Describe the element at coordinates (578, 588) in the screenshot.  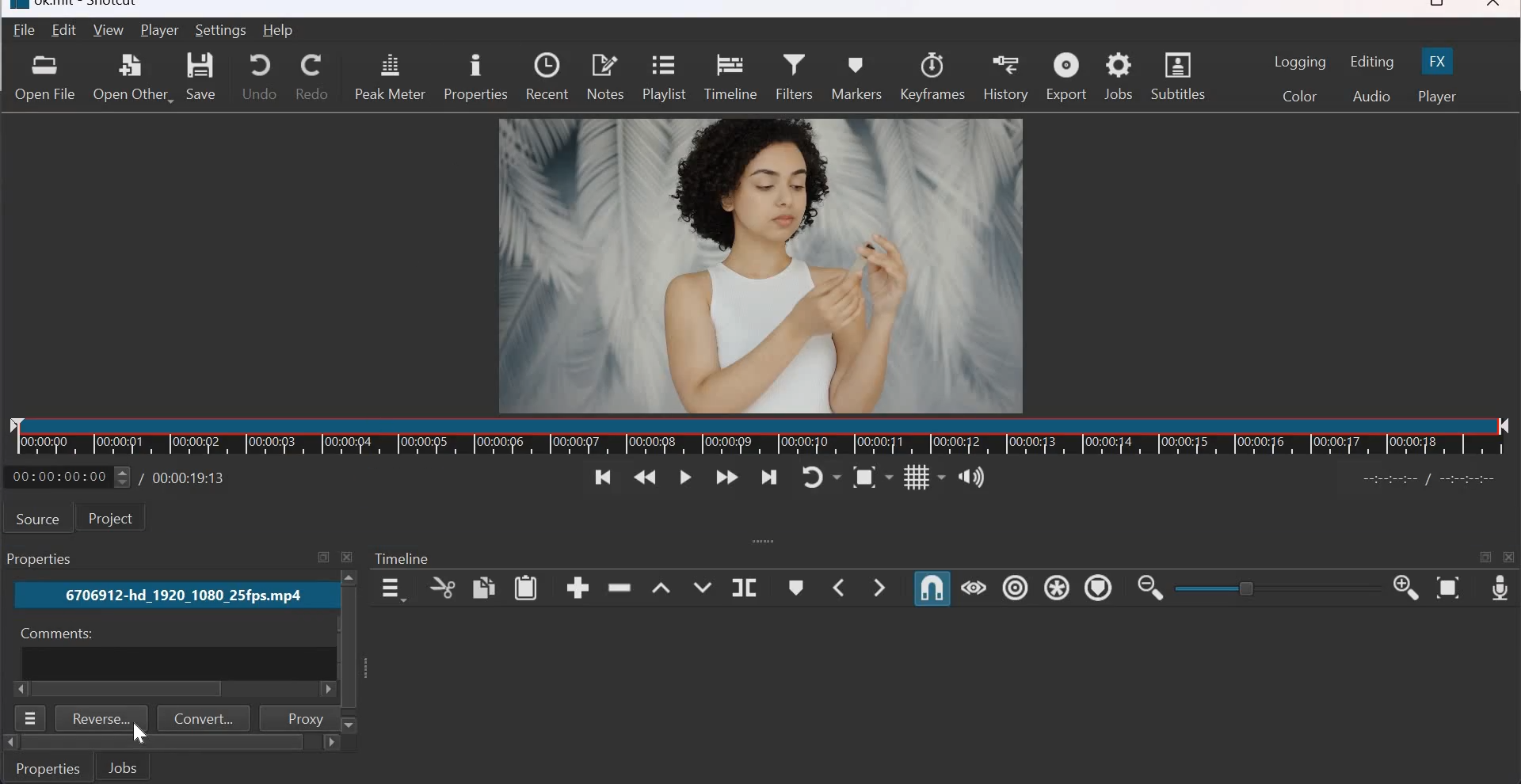
I see `append` at that location.